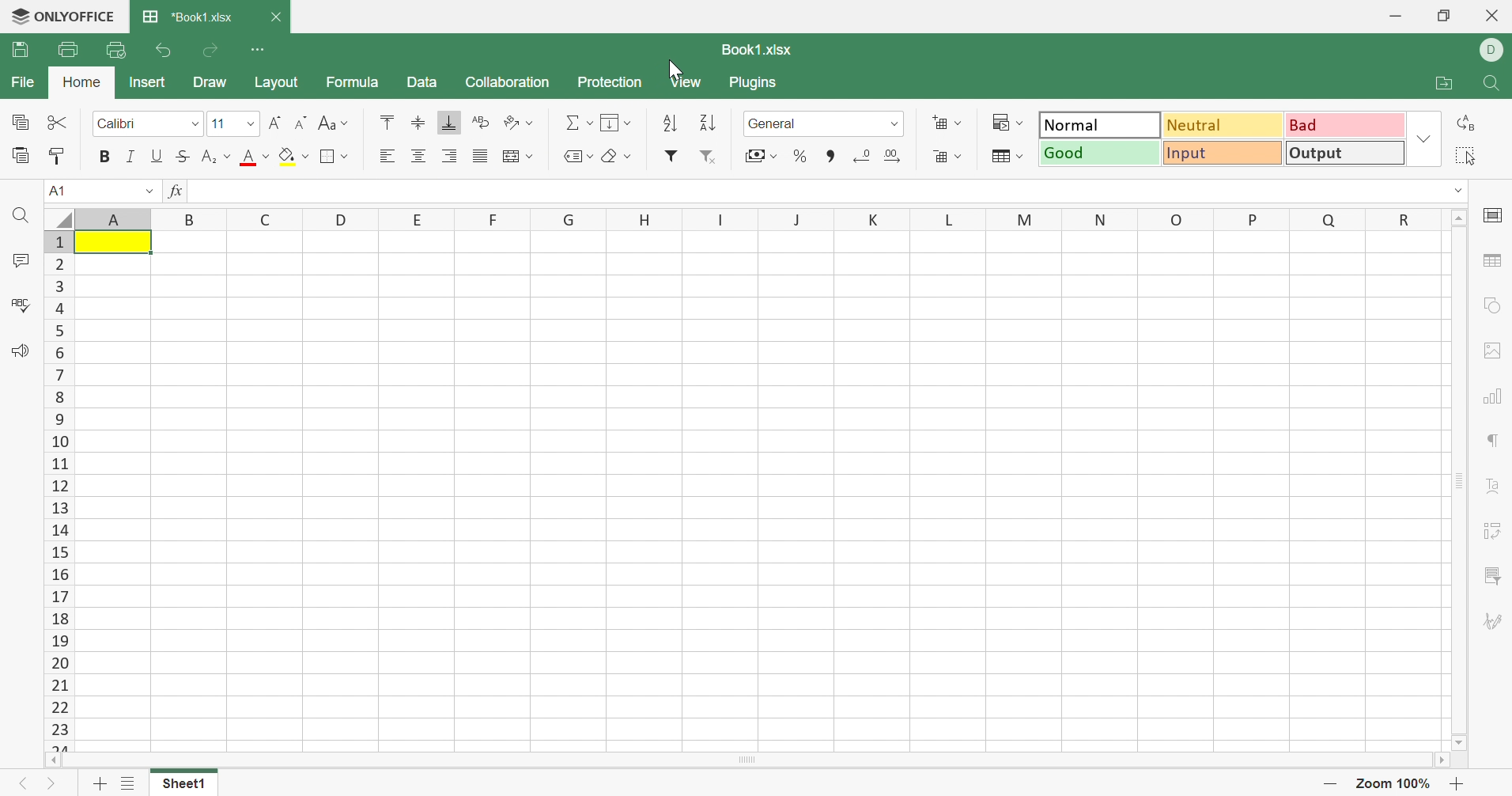  Describe the element at coordinates (1458, 191) in the screenshot. I see `Drop Down` at that location.